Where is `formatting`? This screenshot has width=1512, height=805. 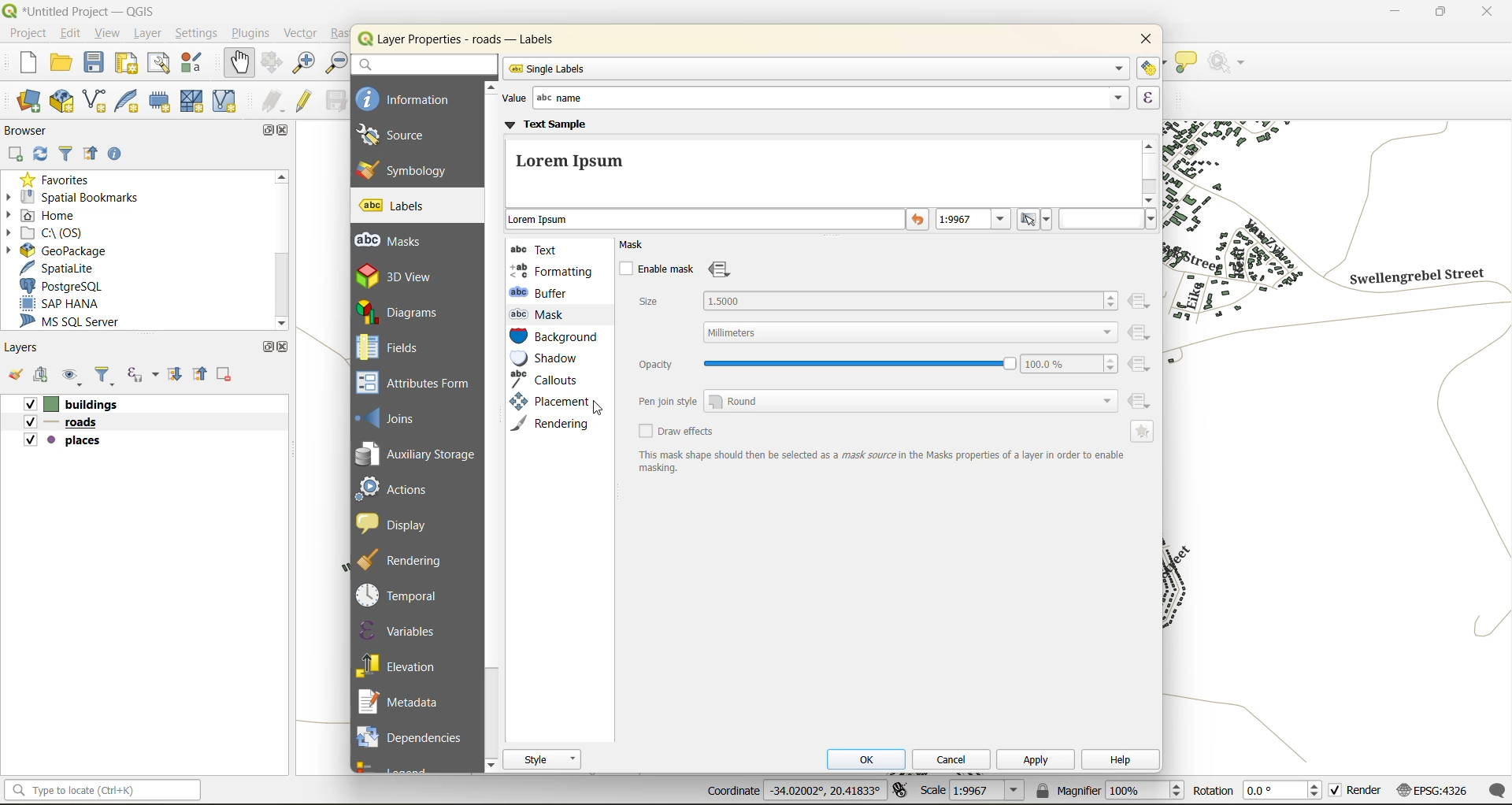
formatting is located at coordinates (552, 271).